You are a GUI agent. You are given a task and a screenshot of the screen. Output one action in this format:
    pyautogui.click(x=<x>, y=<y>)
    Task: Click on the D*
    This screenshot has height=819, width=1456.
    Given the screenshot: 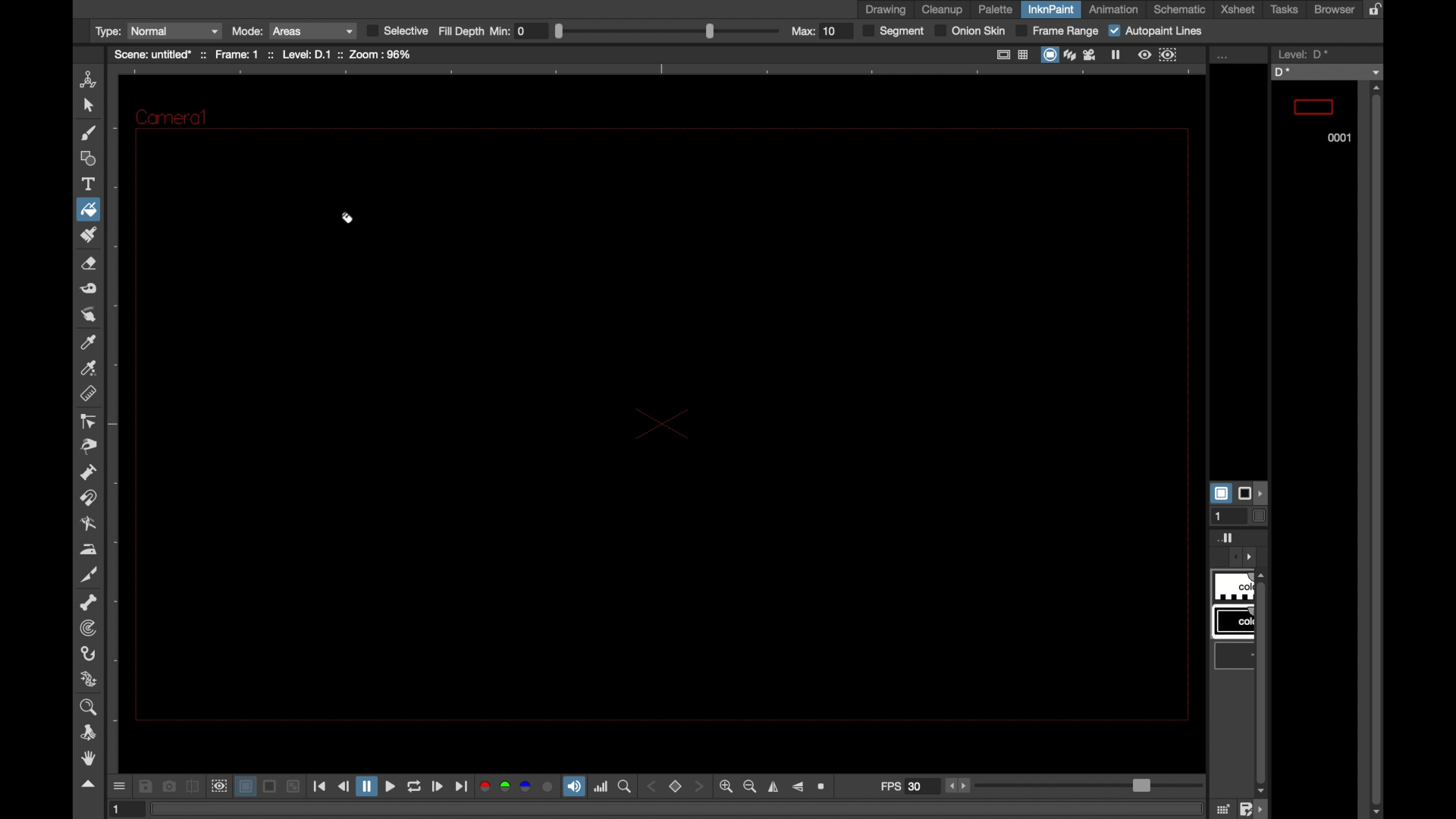 What is the action you would take?
    pyautogui.click(x=1328, y=72)
    